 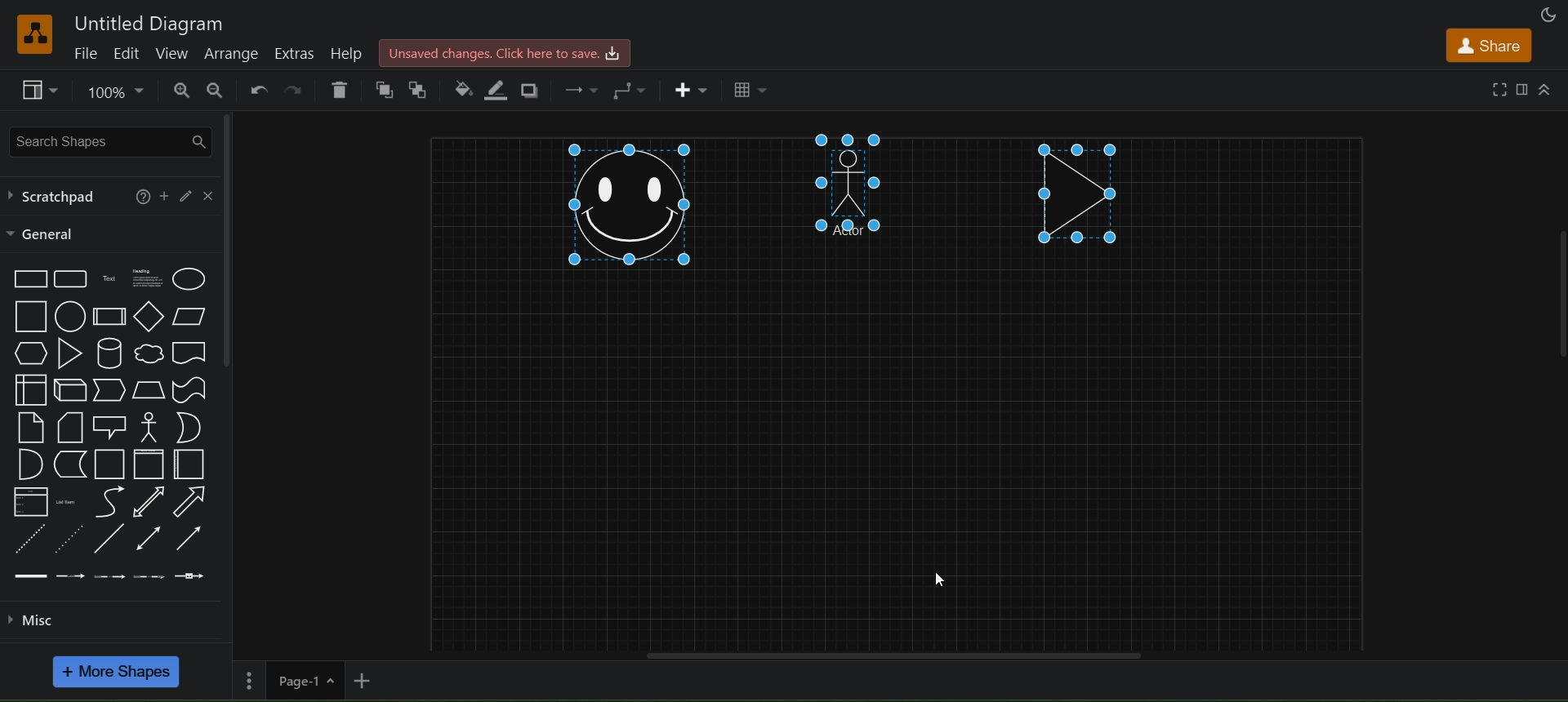 What do you see at coordinates (28, 353) in the screenshot?
I see `hexagon` at bounding box center [28, 353].